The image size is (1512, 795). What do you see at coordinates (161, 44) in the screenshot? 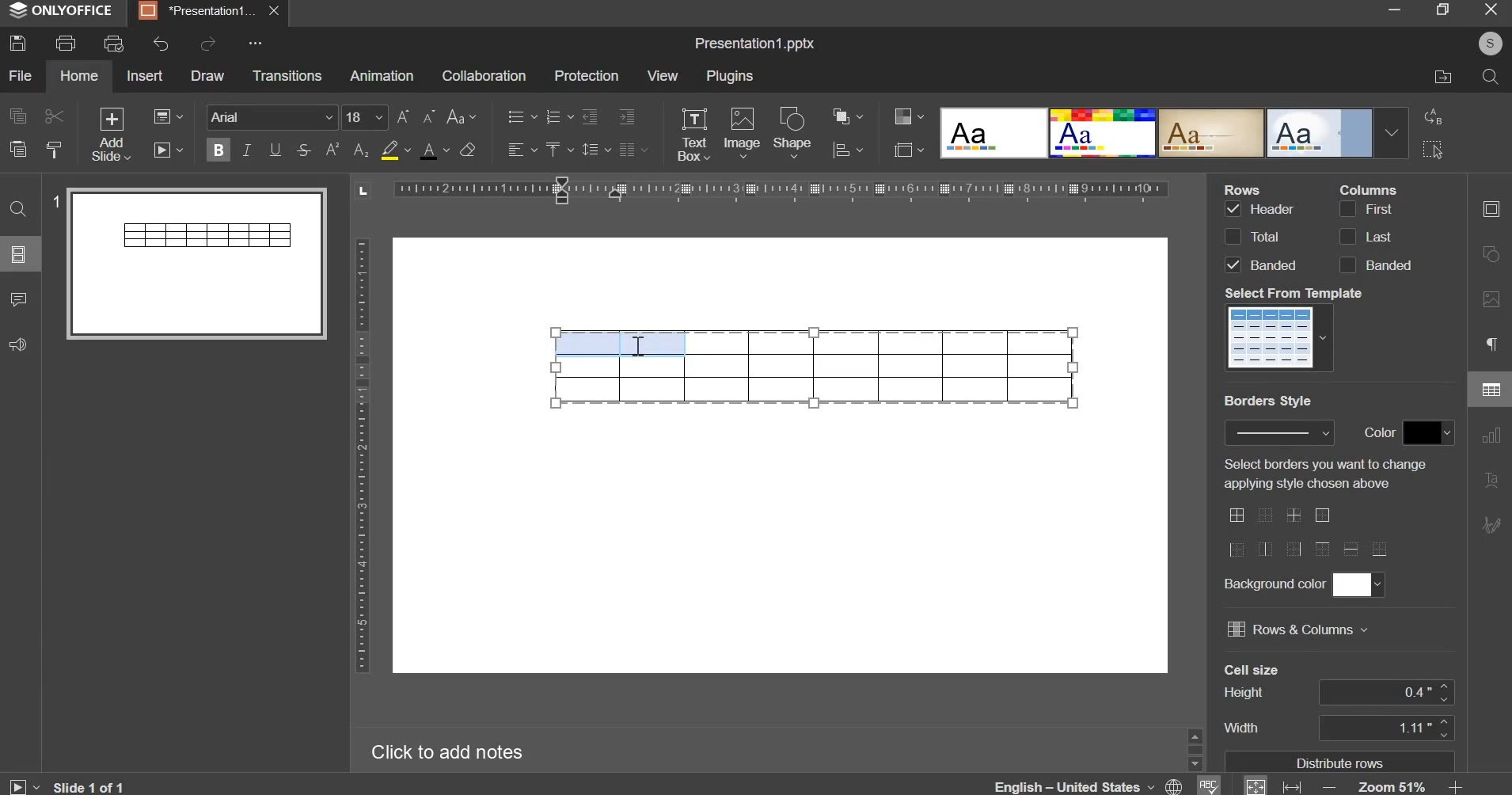
I see `undo` at bounding box center [161, 44].